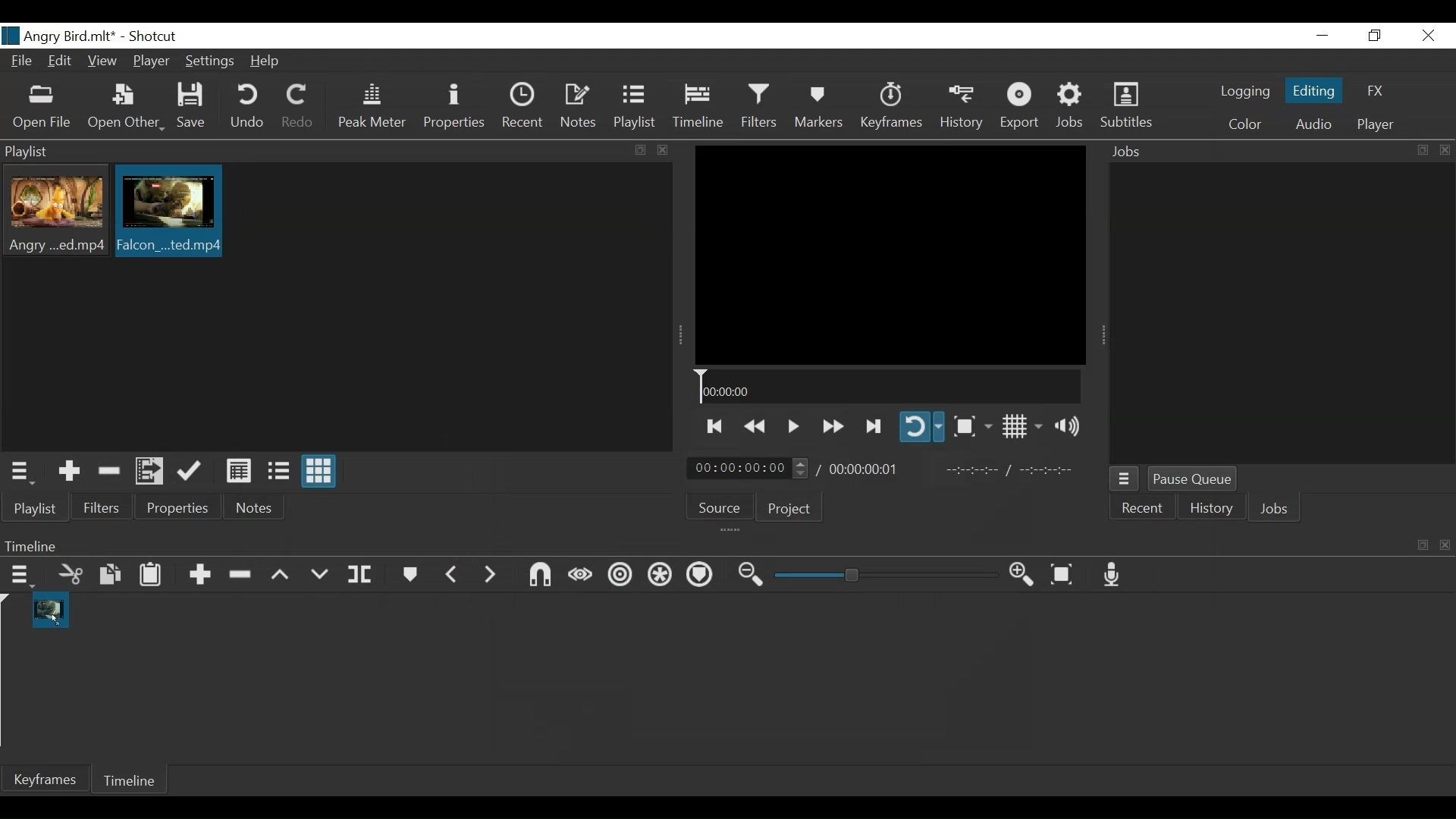 The width and height of the screenshot is (1456, 819). Describe the element at coordinates (1122, 480) in the screenshot. I see `Jobs Menu` at that location.